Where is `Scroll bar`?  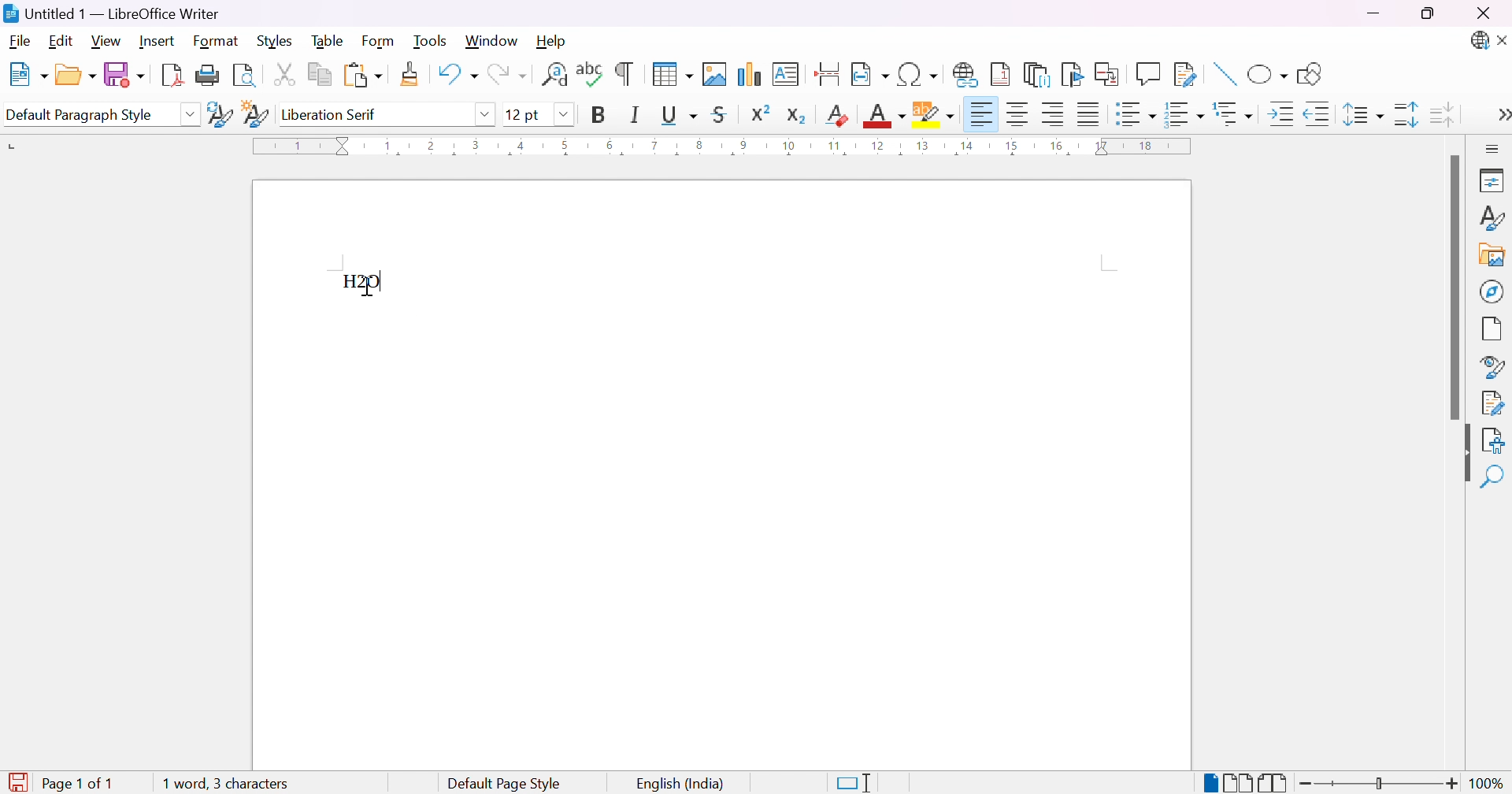 Scroll bar is located at coordinates (1453, 288).